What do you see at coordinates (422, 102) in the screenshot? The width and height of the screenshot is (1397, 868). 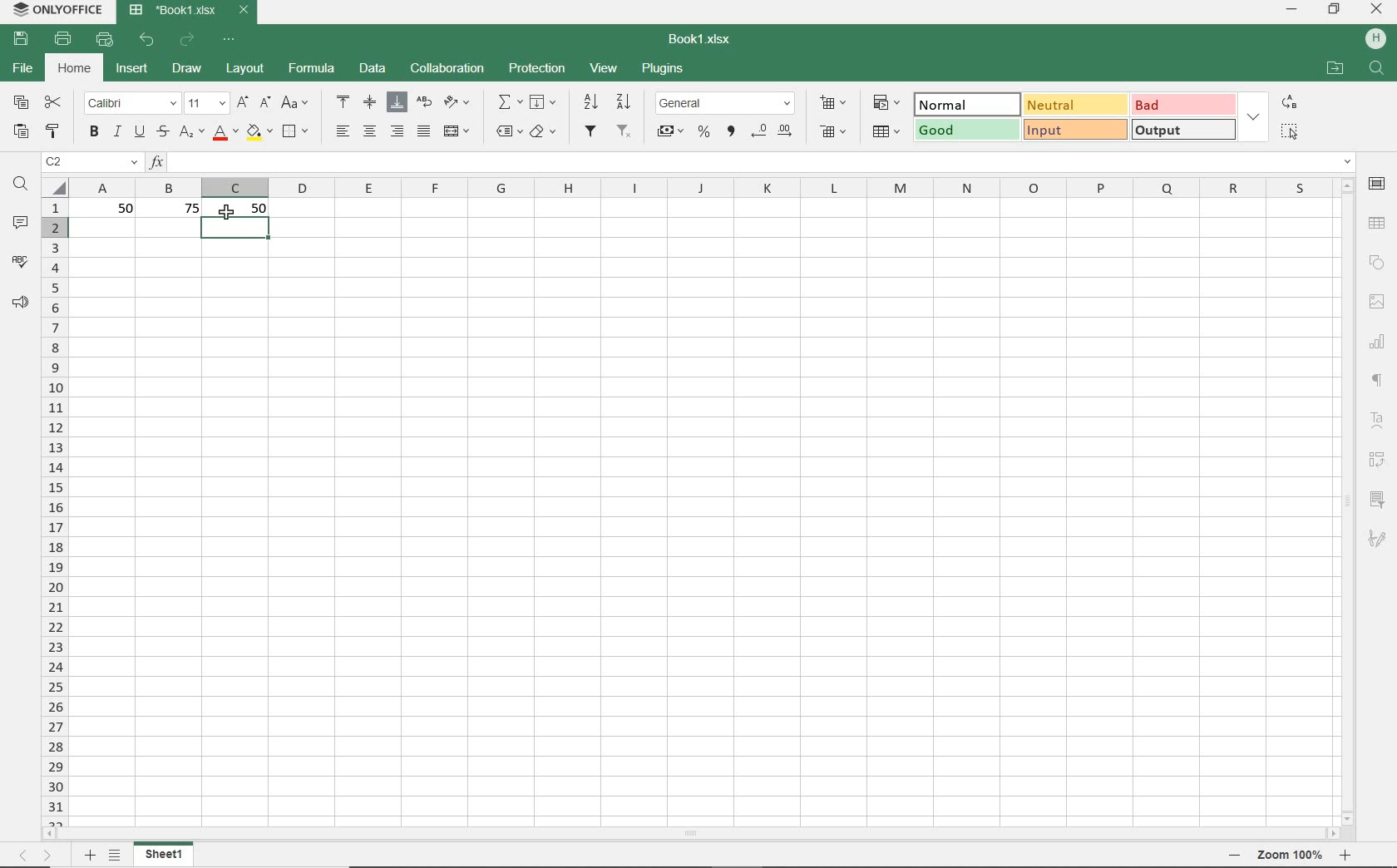 I see `wrap text` at bounding box center [422, 102].